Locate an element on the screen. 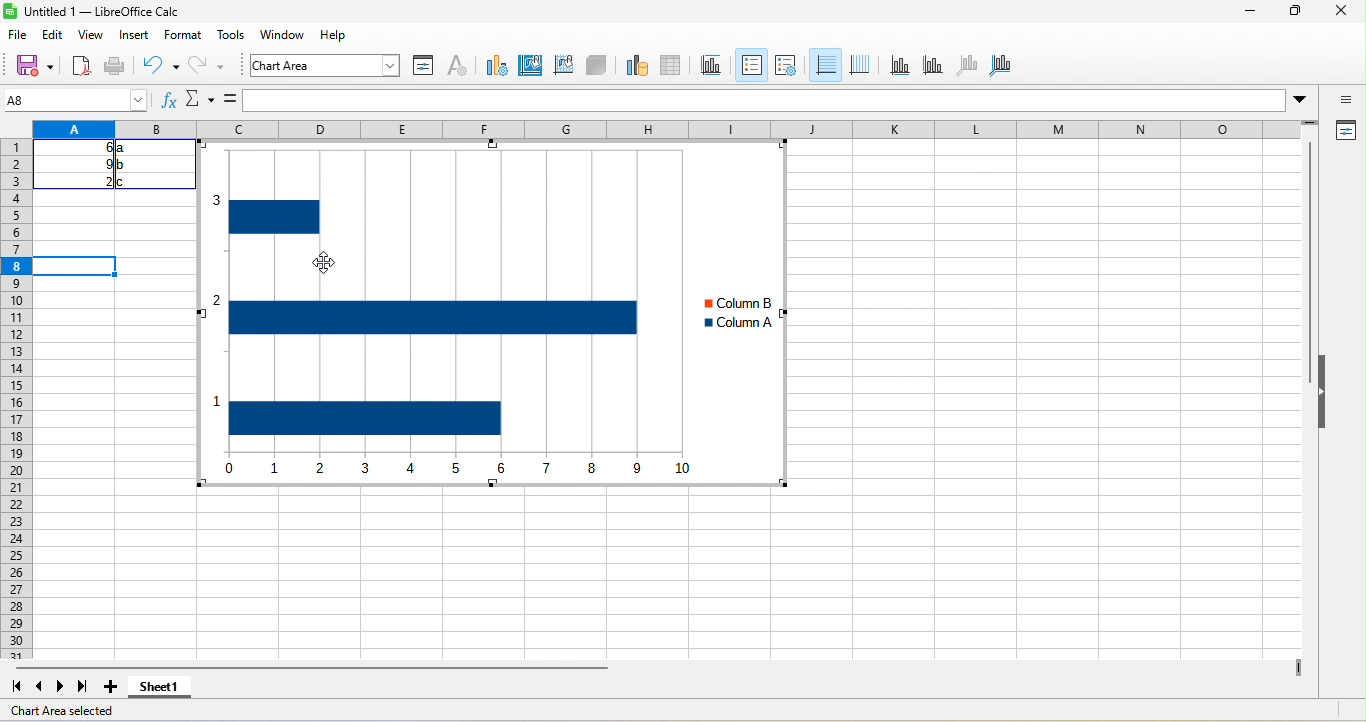 This screenshot has height=722, width=1366. chart area is located at coordinates (532, 65).